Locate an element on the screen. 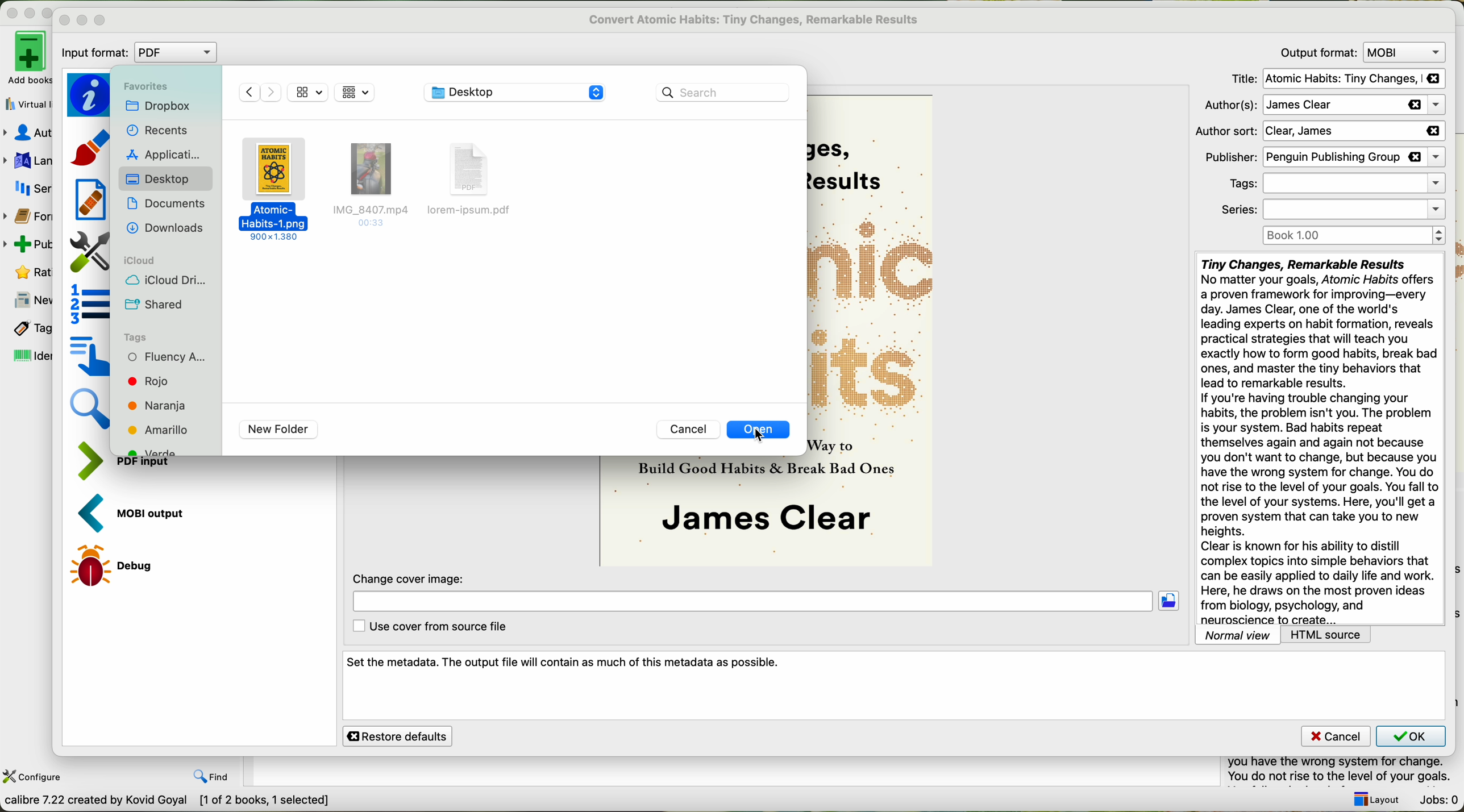 This screenshot has width=1464, height=812. applications is located at coordinates (167, 154).